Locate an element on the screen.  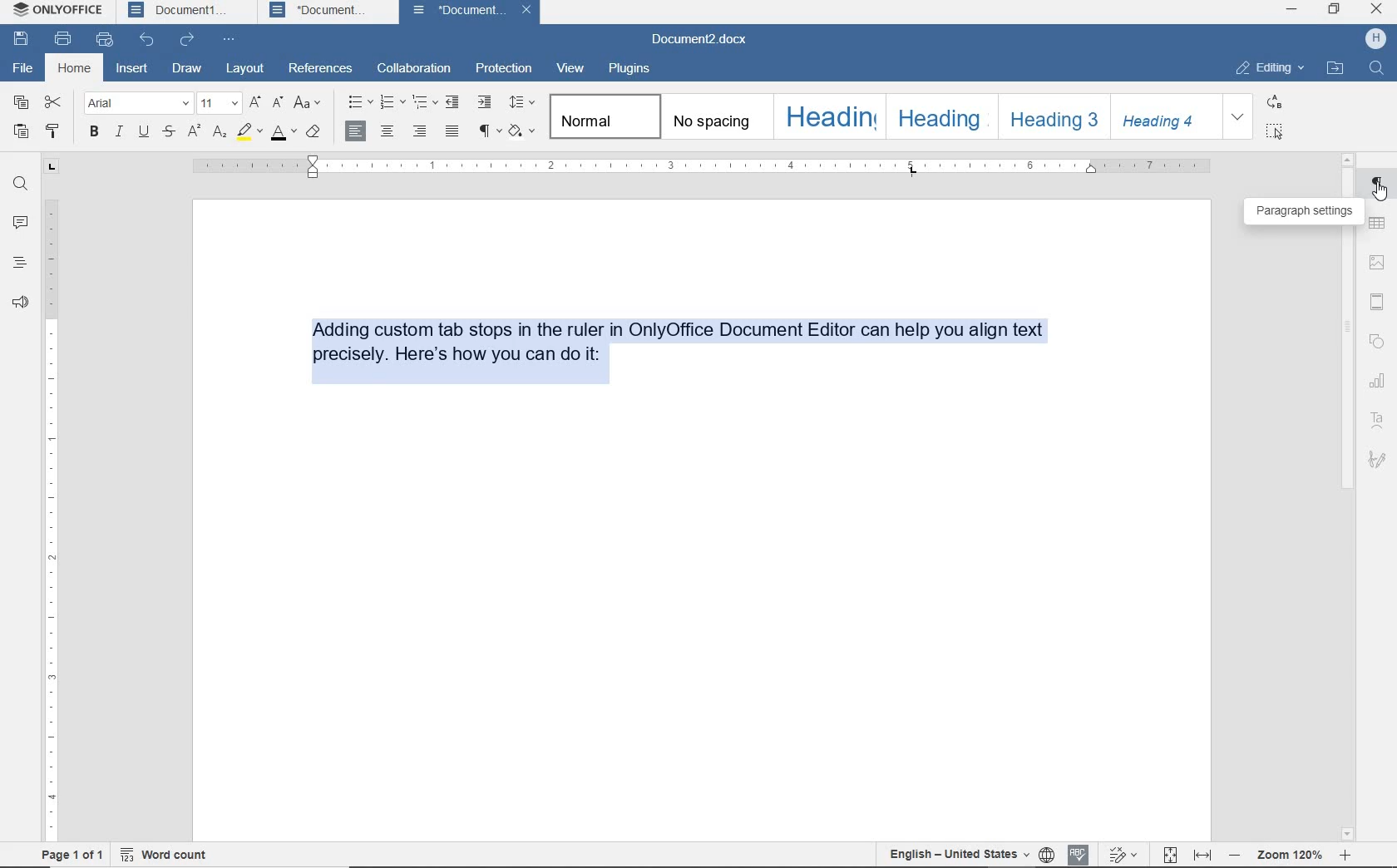
paragraph settings is located at coordinates (1378, 183).